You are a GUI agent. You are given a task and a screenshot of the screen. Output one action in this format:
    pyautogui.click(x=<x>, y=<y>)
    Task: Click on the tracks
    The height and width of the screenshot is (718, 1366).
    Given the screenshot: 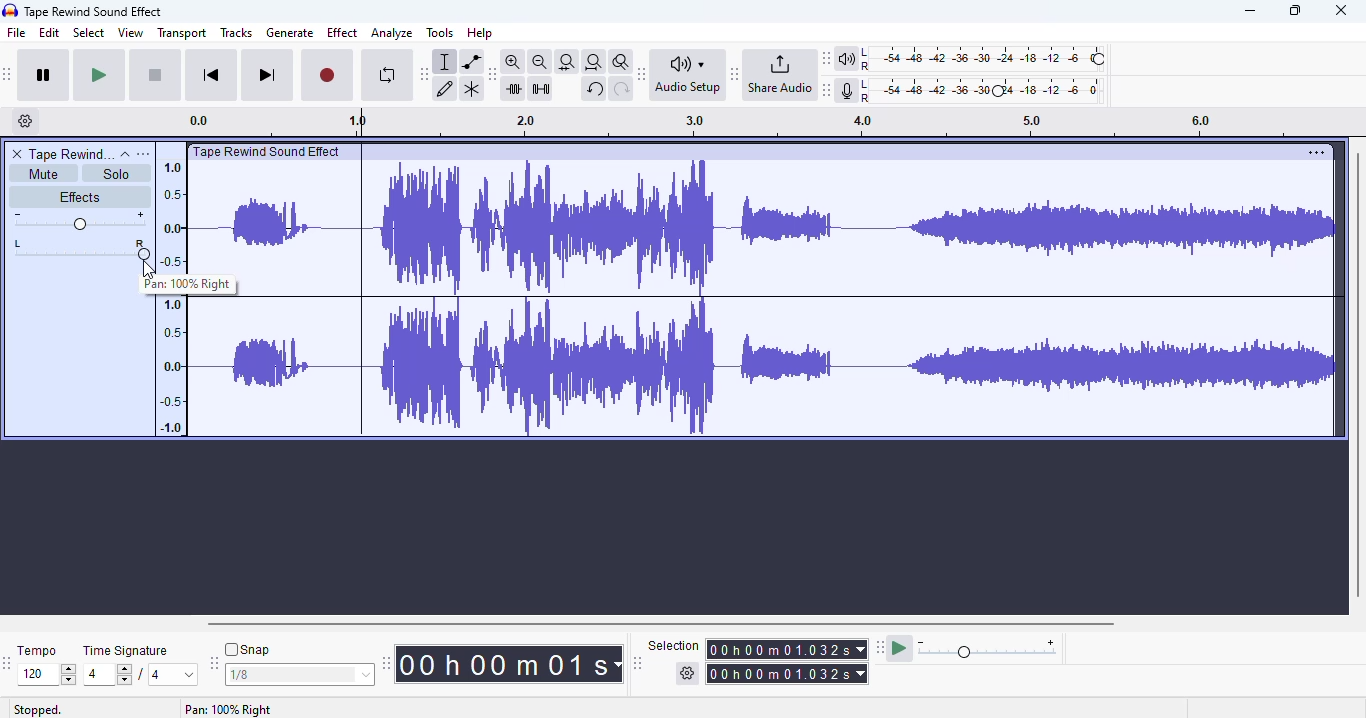 What is the action you would take?
    pyautogui.click(x=236, y=32)
    